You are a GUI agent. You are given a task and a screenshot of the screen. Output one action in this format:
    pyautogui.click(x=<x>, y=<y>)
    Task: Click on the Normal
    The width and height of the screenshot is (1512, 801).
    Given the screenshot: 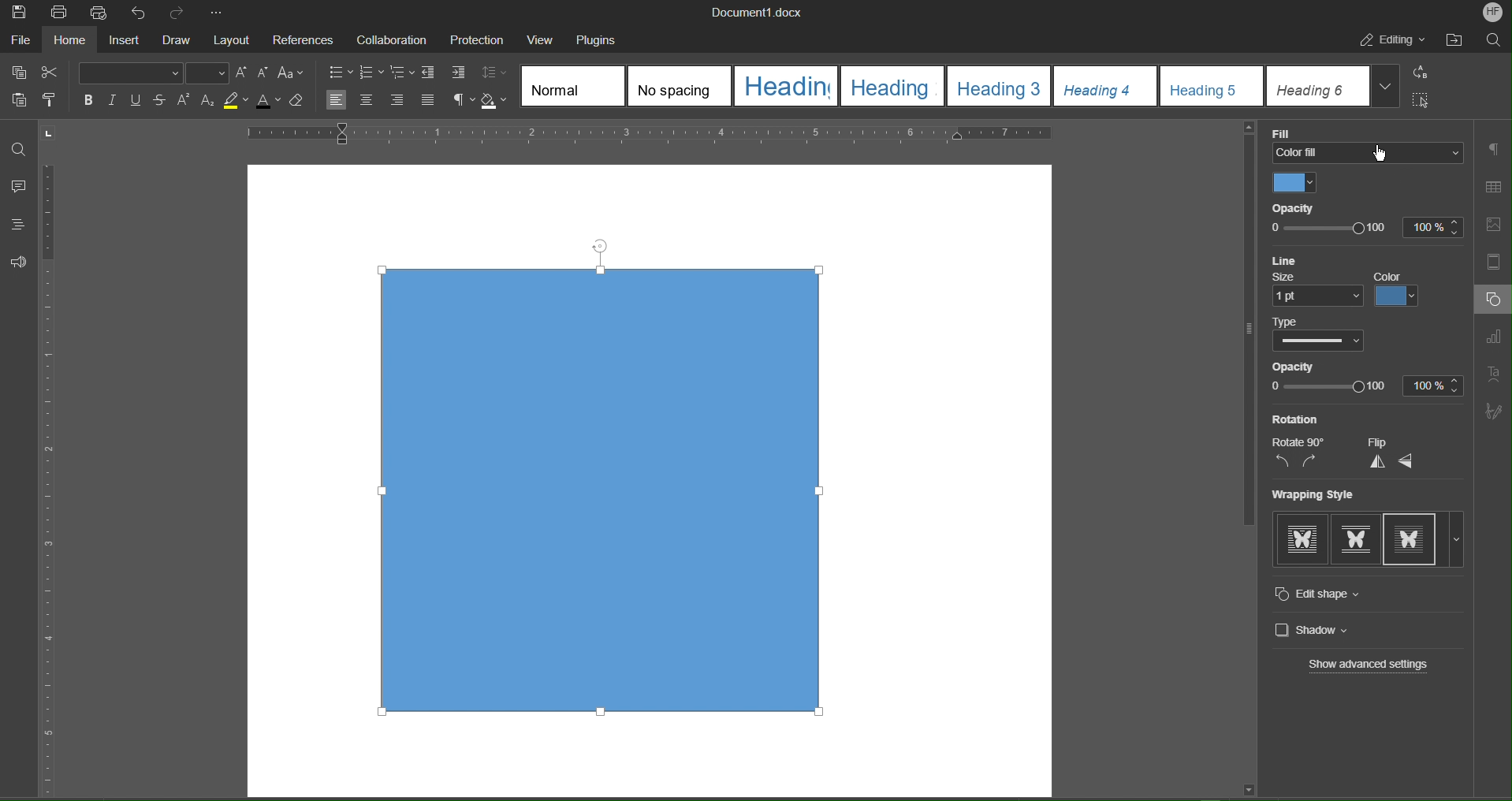 What is the action you would take?
    pyautogui.click(x=572, y=84)
    